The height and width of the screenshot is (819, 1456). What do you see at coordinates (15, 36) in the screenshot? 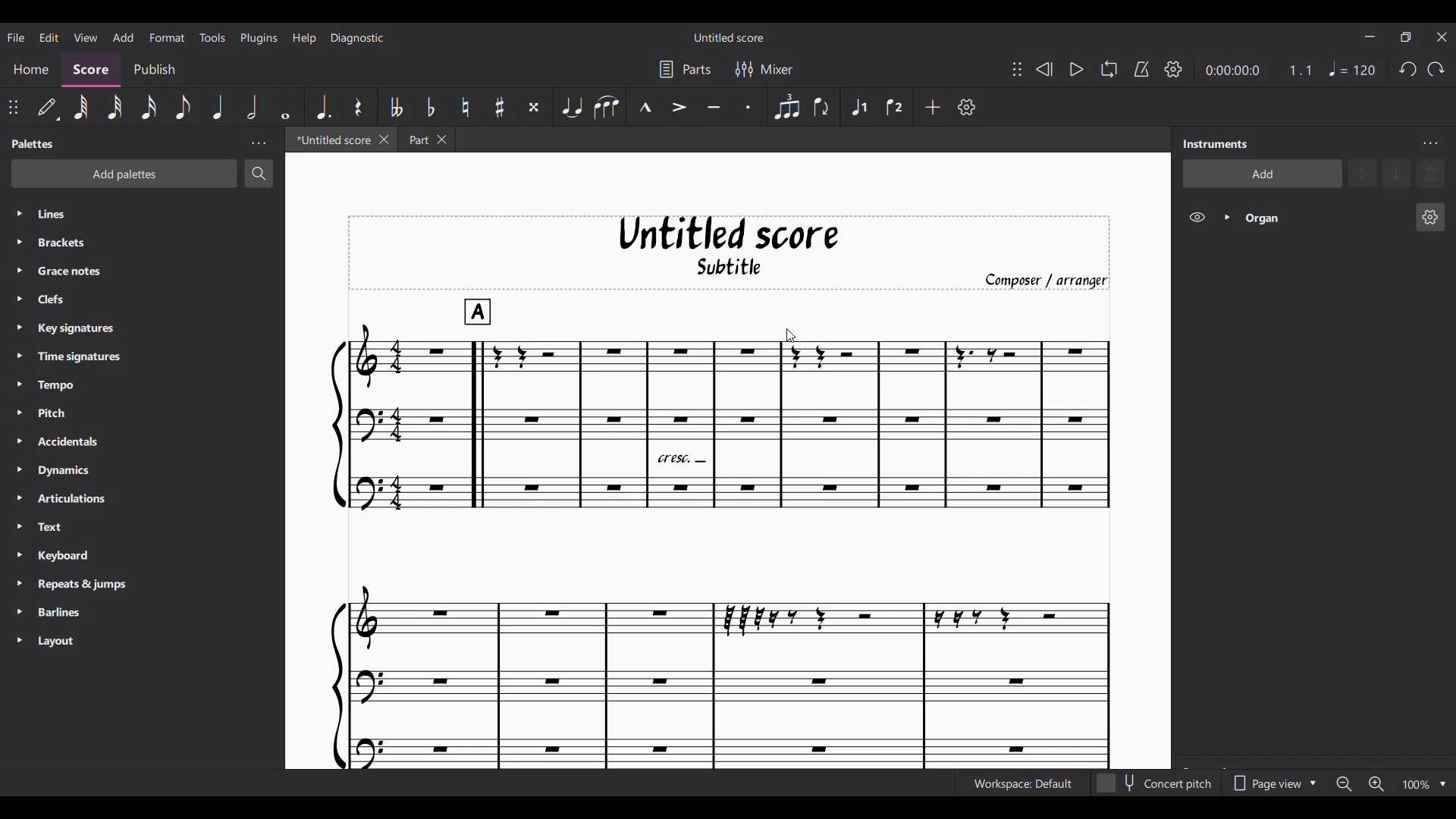
I see `File menu` at bounding box center [15, 36].